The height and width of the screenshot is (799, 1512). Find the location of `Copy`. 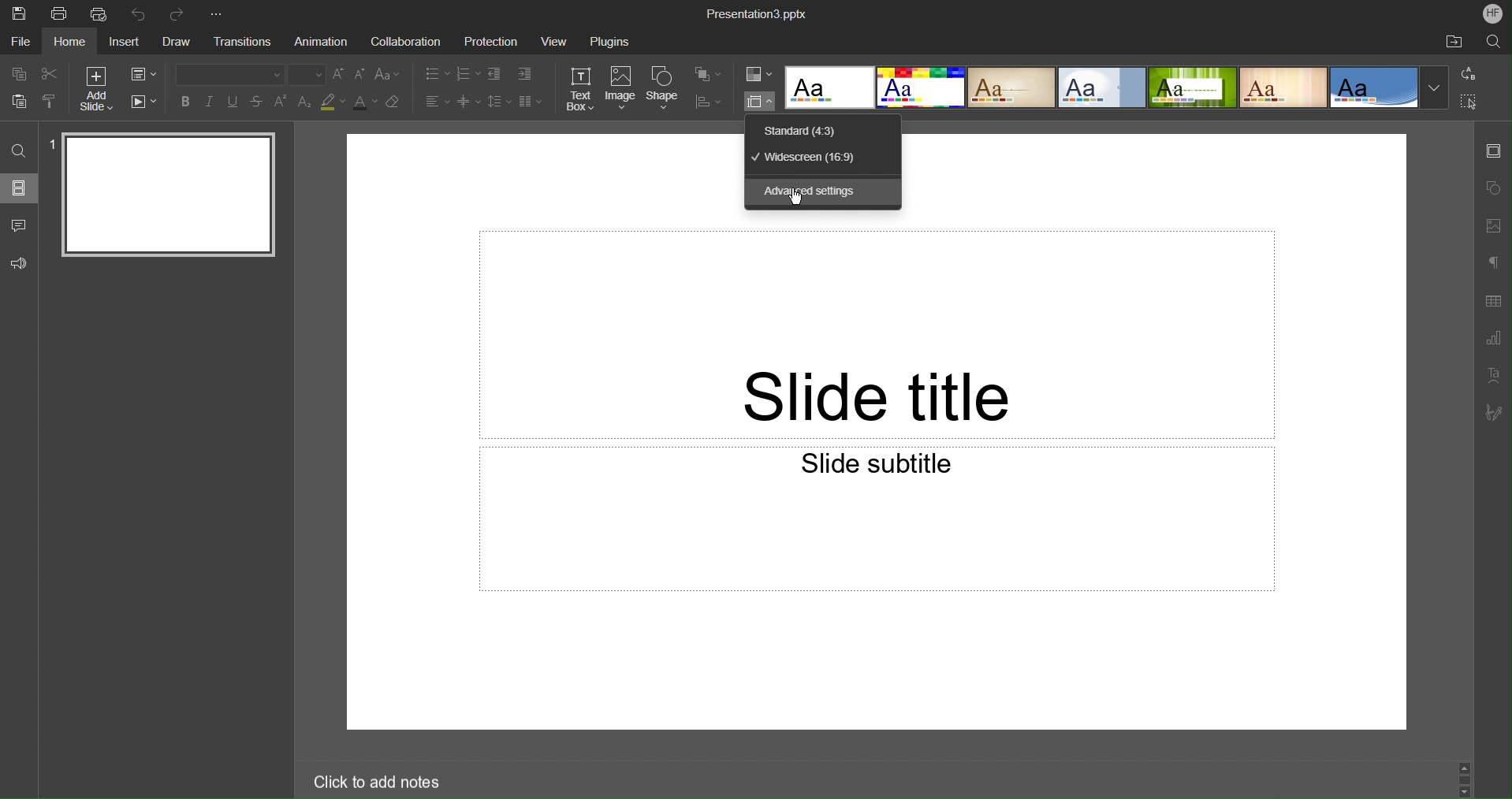

Copy is located at coordinates (16, 73).